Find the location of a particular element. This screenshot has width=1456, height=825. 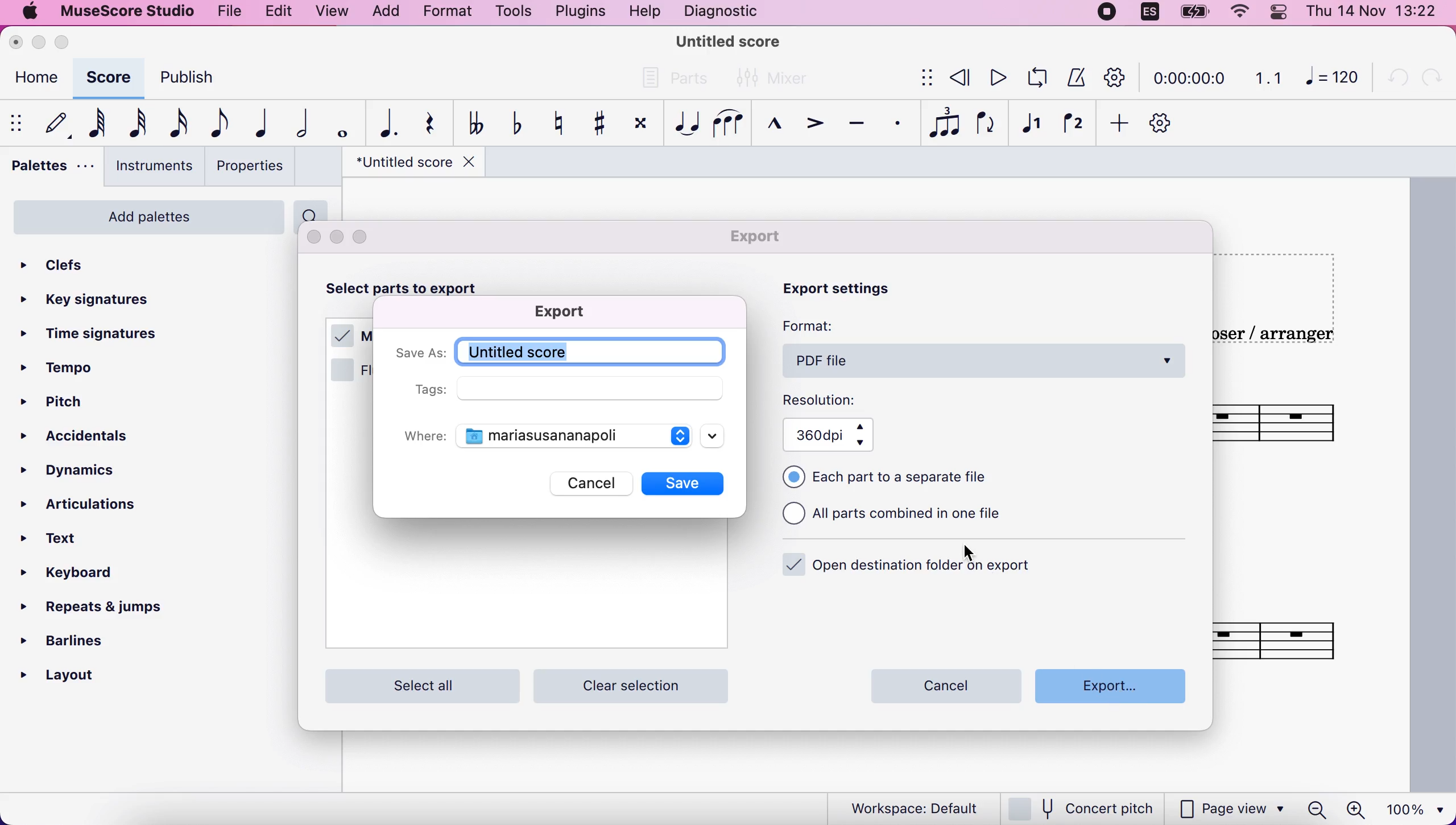

tenuto is located at coordinates (857, 126).